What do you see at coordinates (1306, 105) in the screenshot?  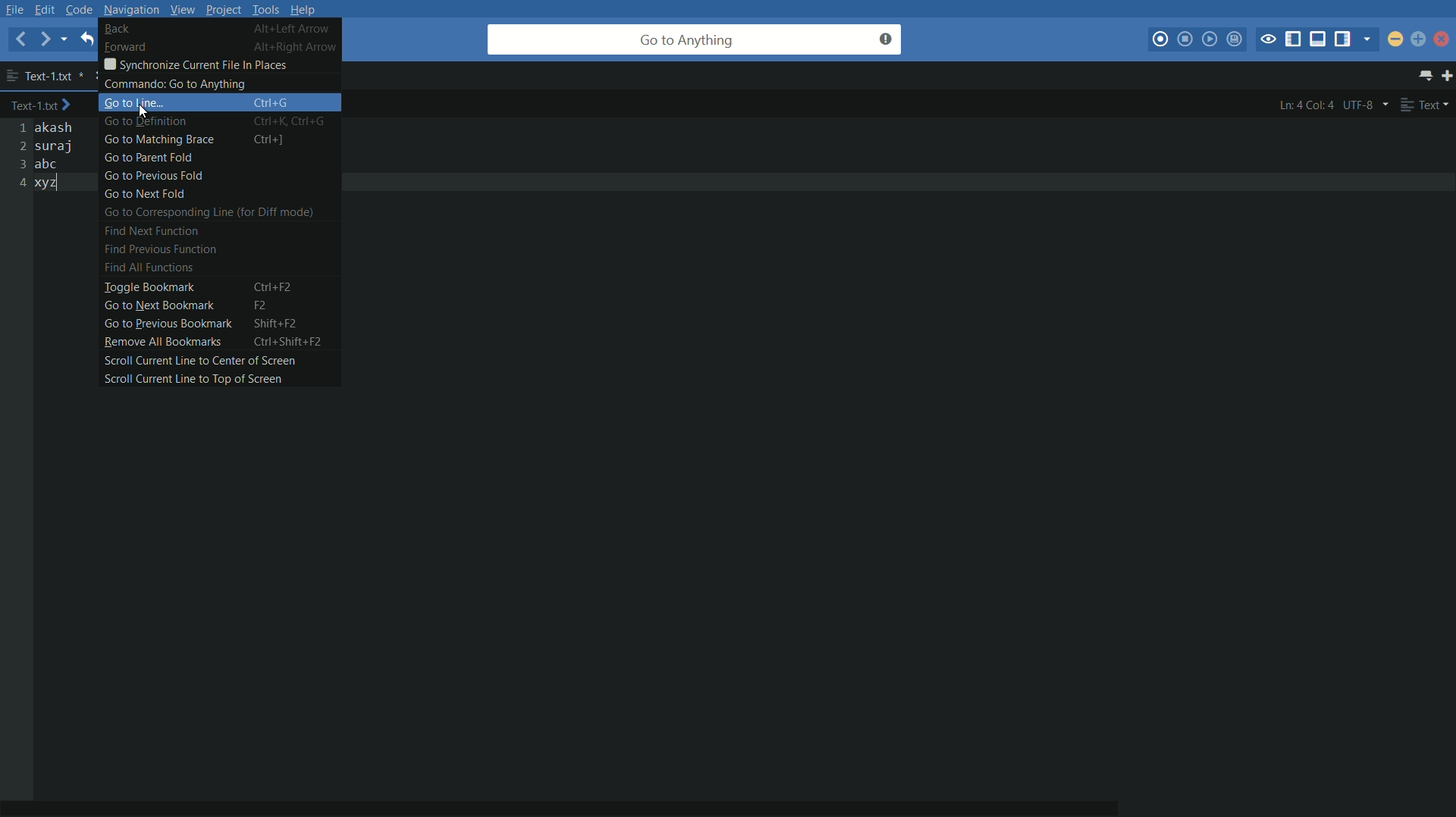 I see `ln:4 col:4` at bounding box center [1306, 105].